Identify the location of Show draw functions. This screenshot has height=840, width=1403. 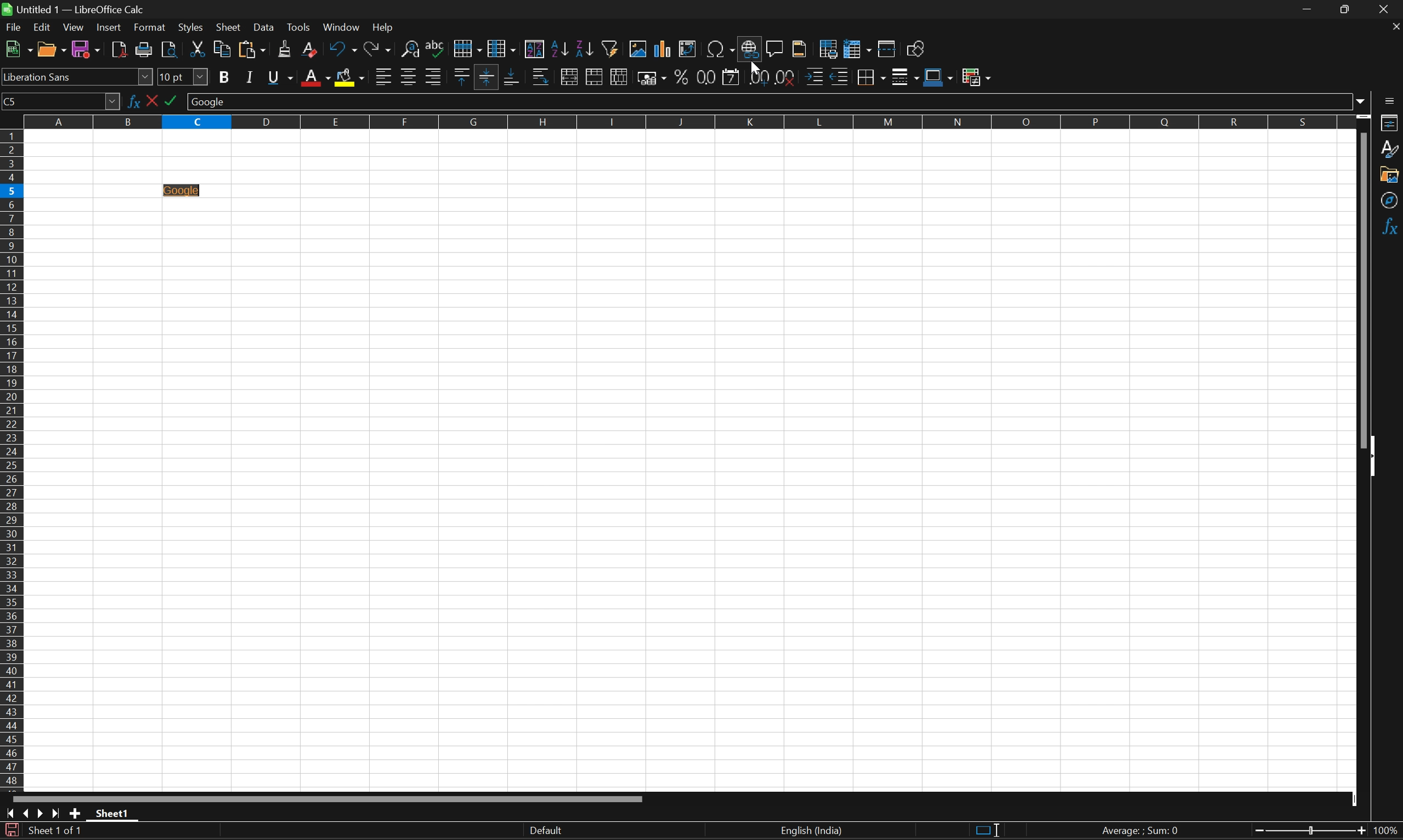
(917, 48).